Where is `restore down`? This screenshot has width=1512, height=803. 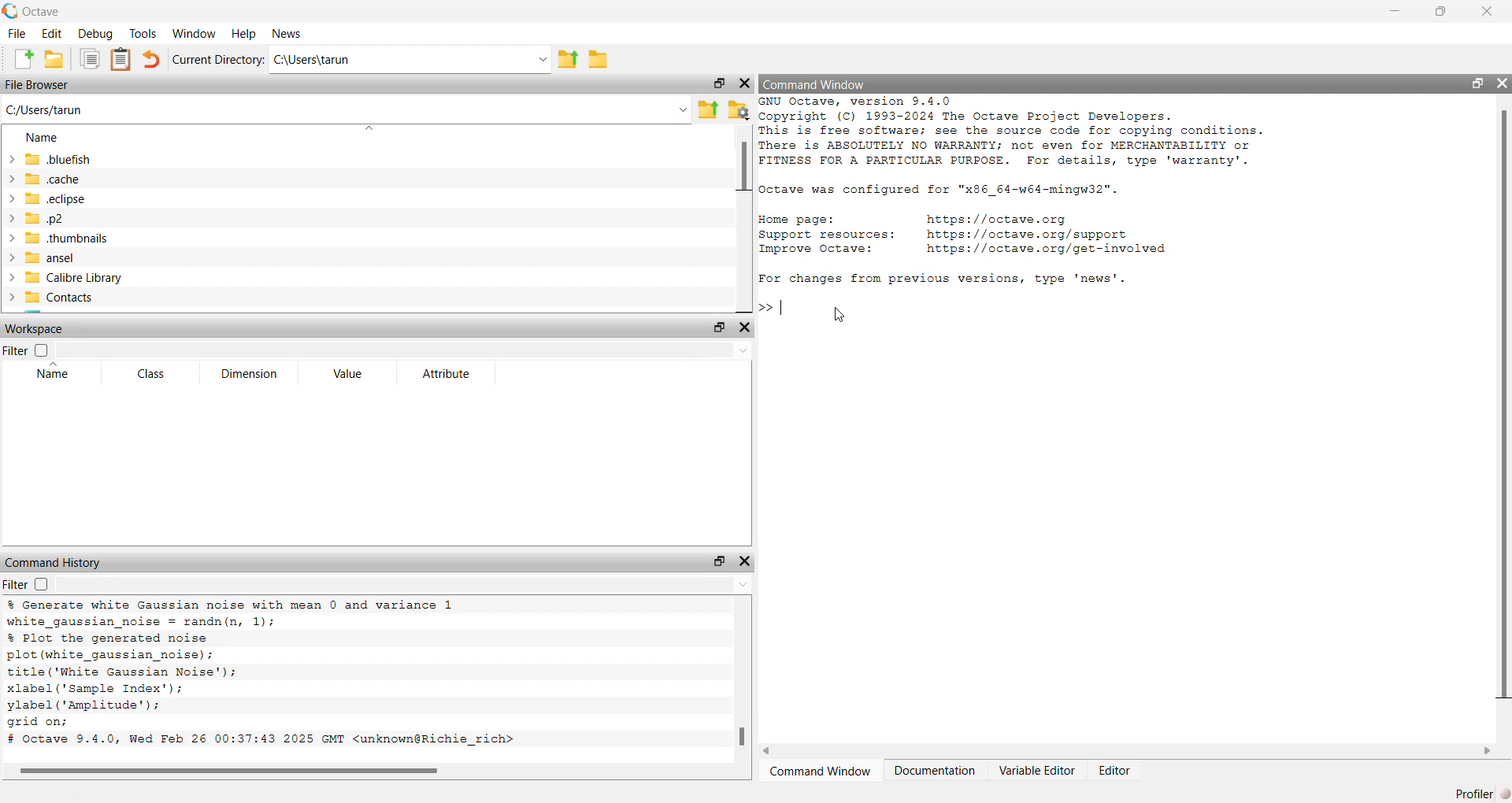 restore down is located at coordinates (720, 561).